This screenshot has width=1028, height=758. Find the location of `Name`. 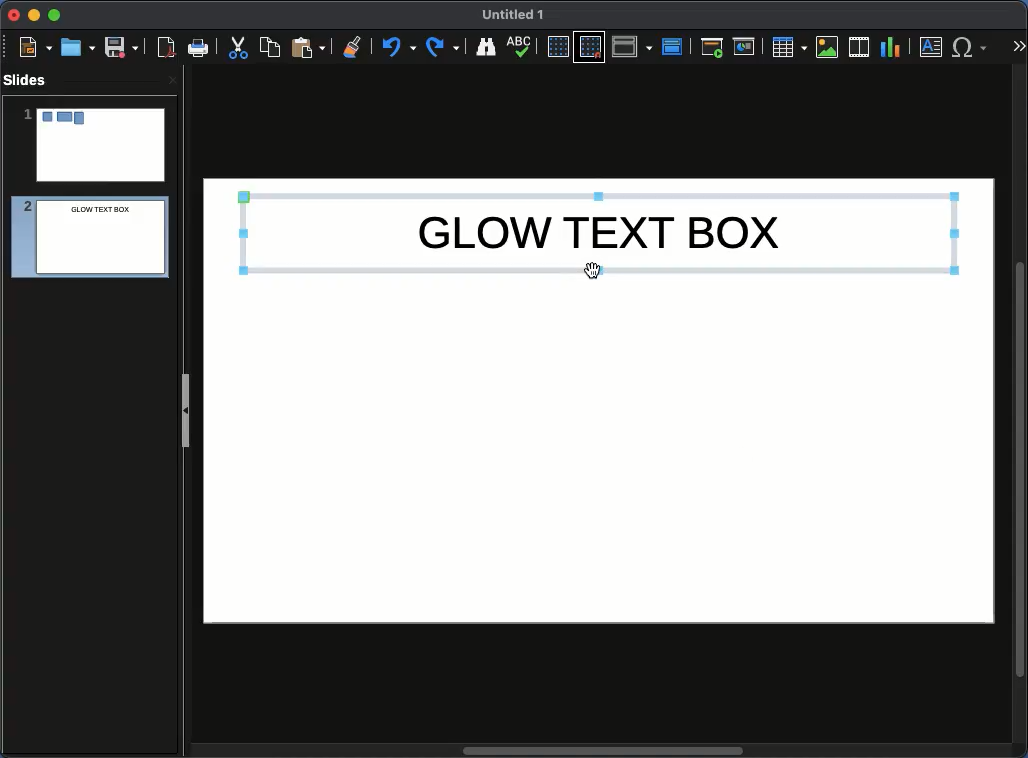

Name is located at coordinates (514, 15).